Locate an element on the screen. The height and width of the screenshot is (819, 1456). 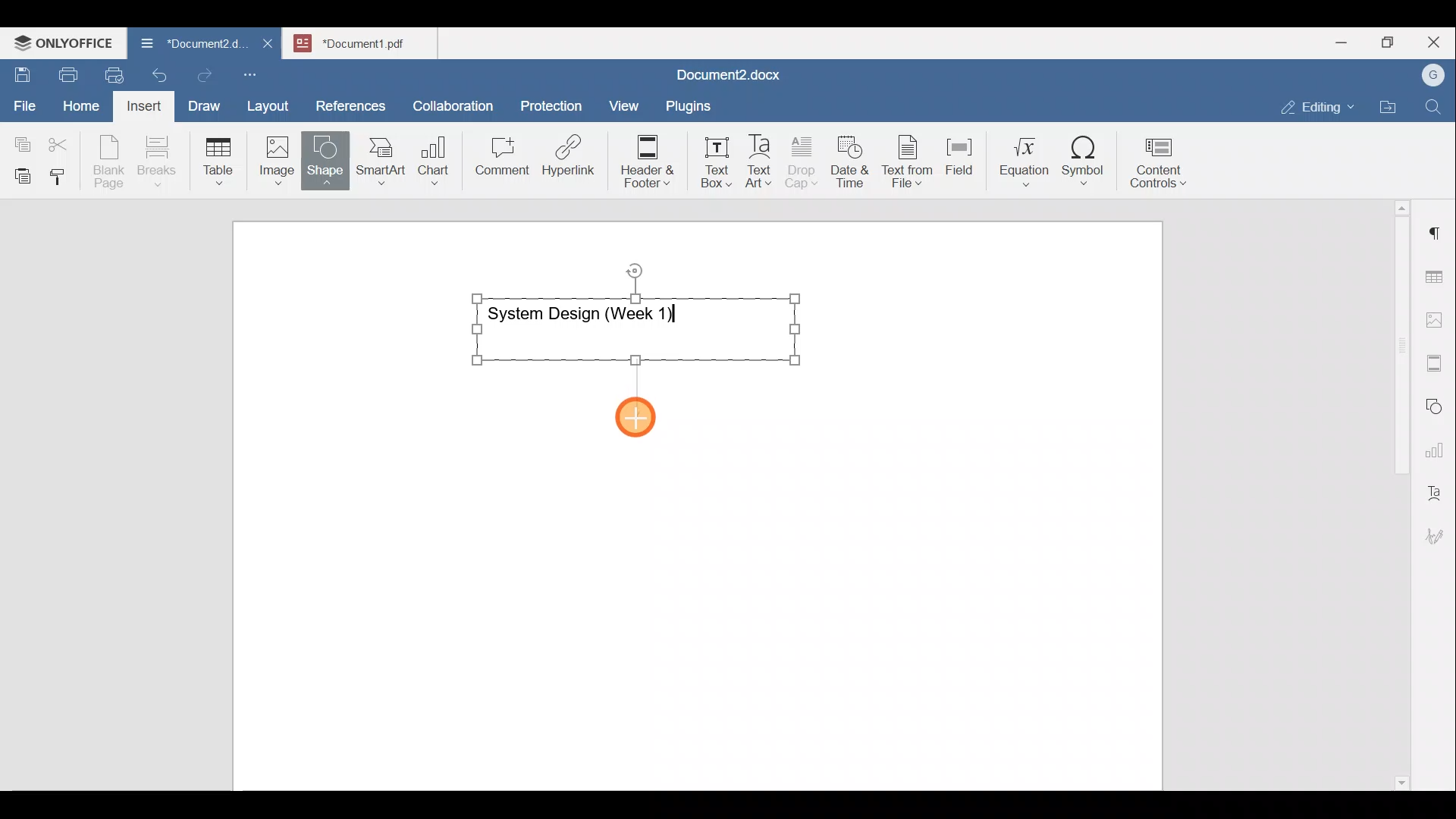
Header & footer is located at coordinates (642, 160).